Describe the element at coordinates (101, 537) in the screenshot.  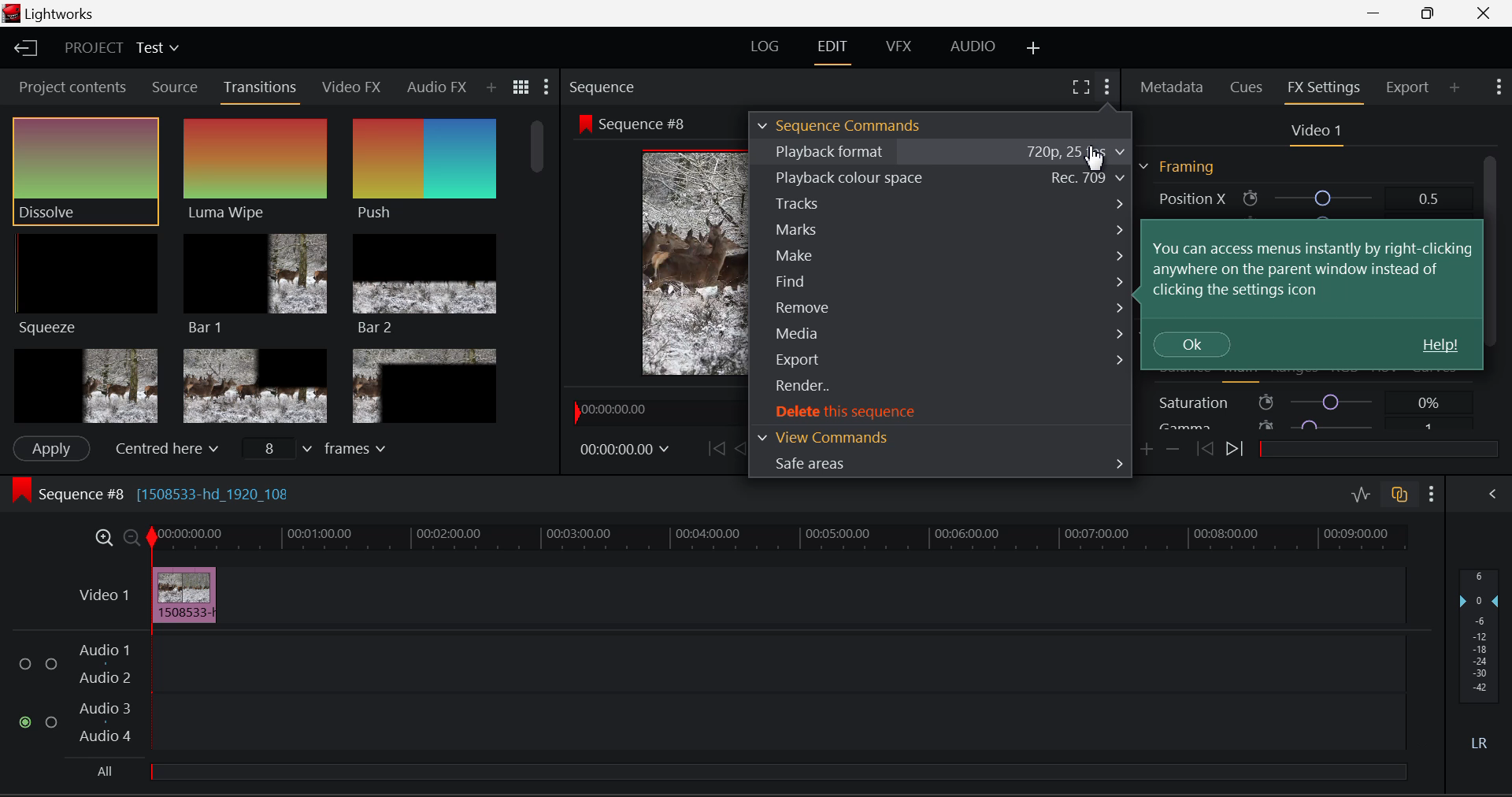
I see `Timeline Zoom In` at that location.